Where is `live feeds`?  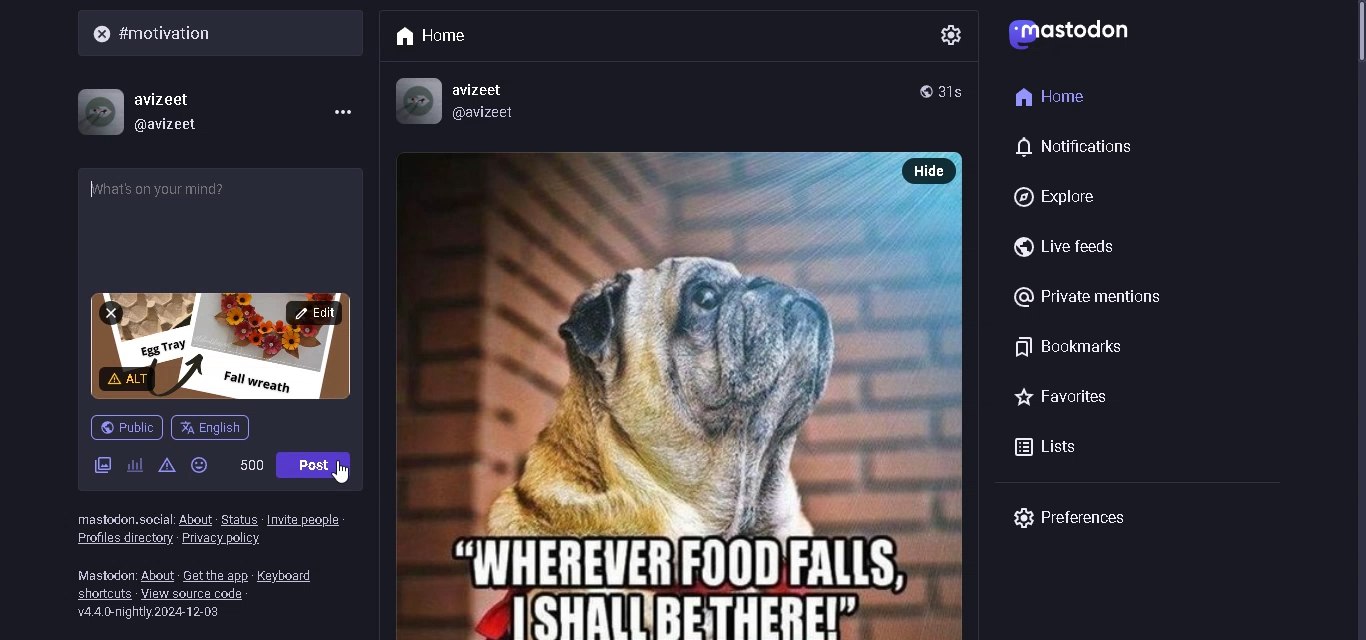 live feeds is located at coordinates (1062, 246).